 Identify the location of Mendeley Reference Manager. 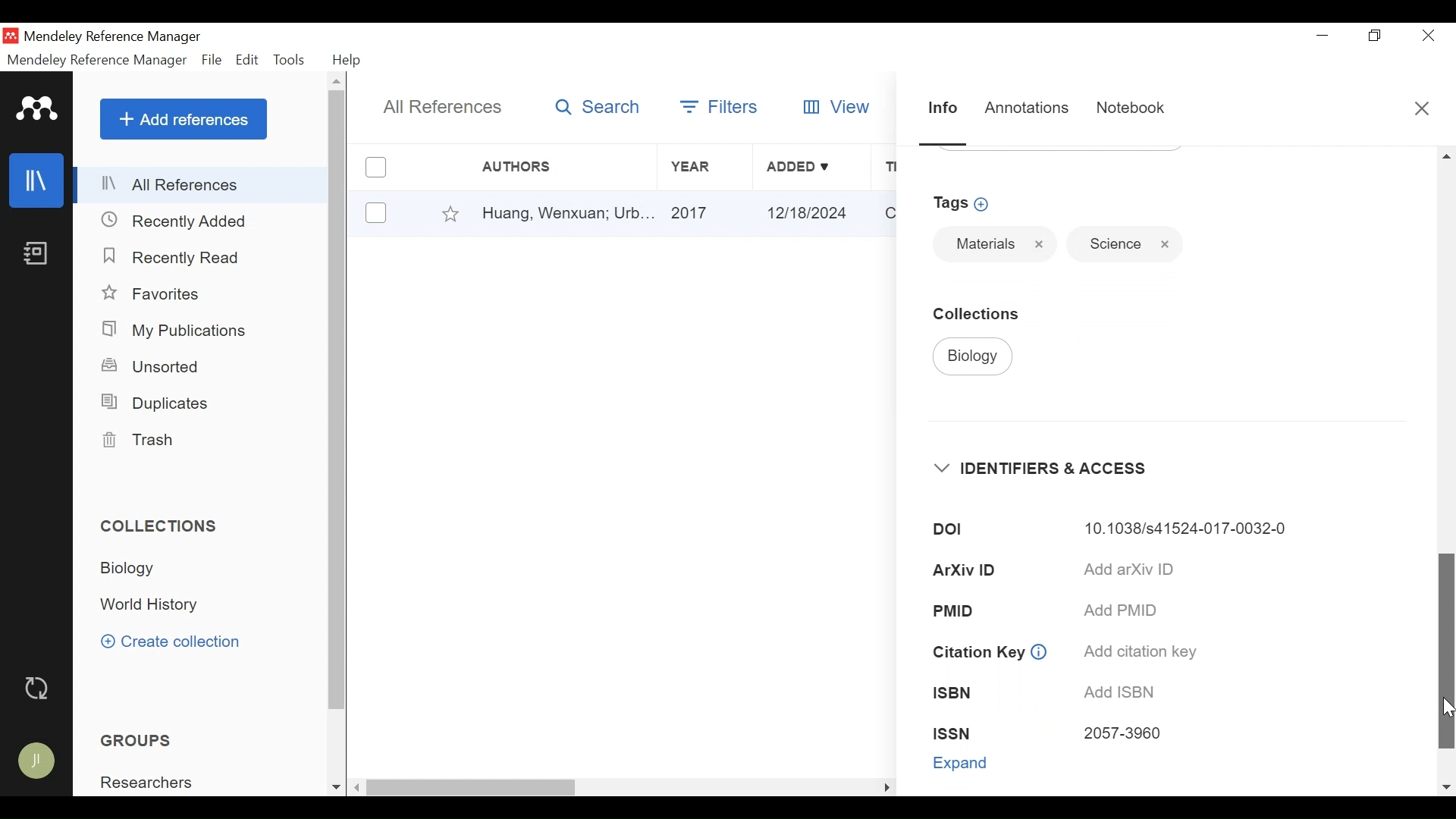
(118, 37).